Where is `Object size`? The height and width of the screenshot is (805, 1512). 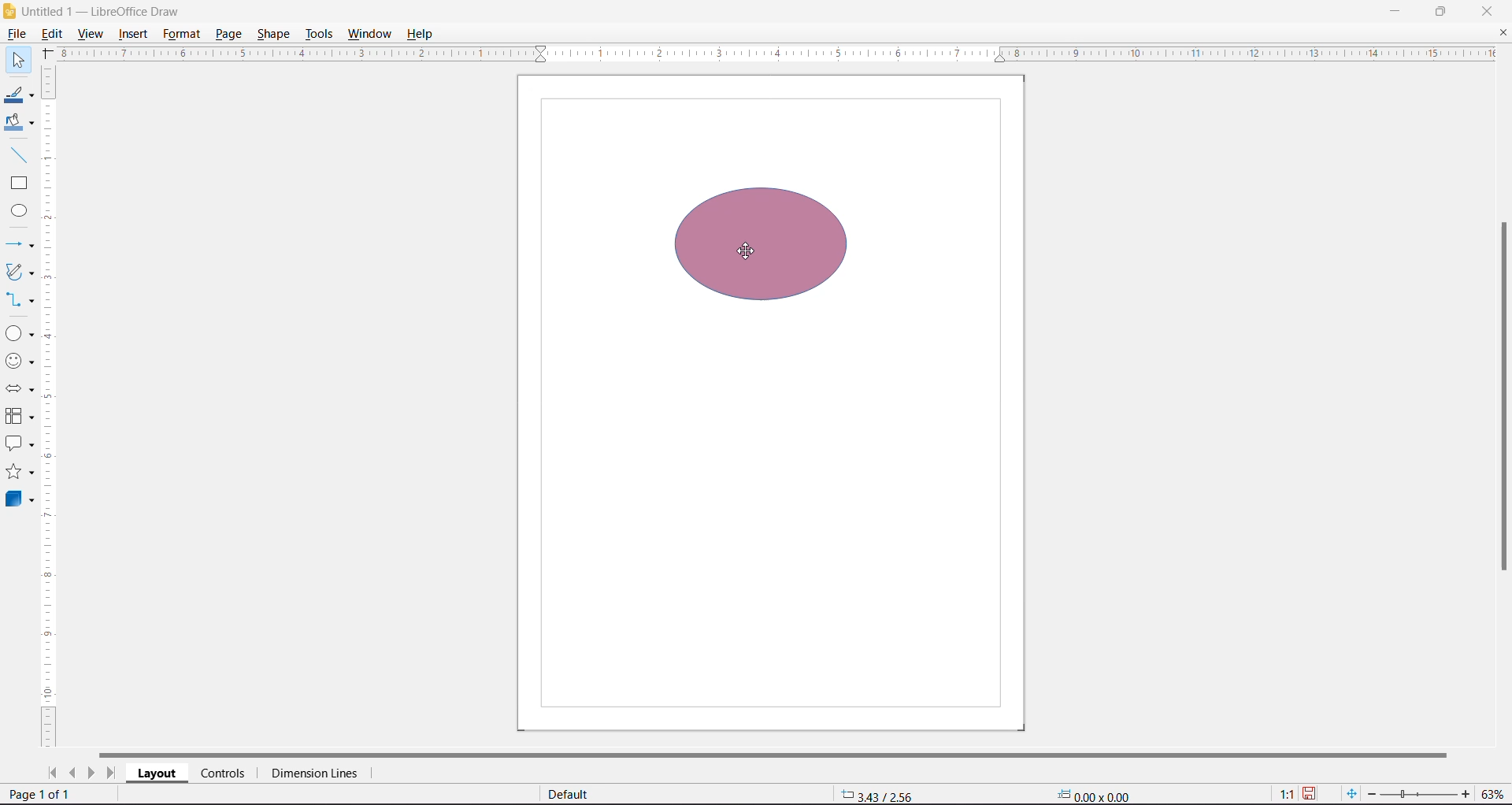 Object size is located at coordinates (1097, 796).